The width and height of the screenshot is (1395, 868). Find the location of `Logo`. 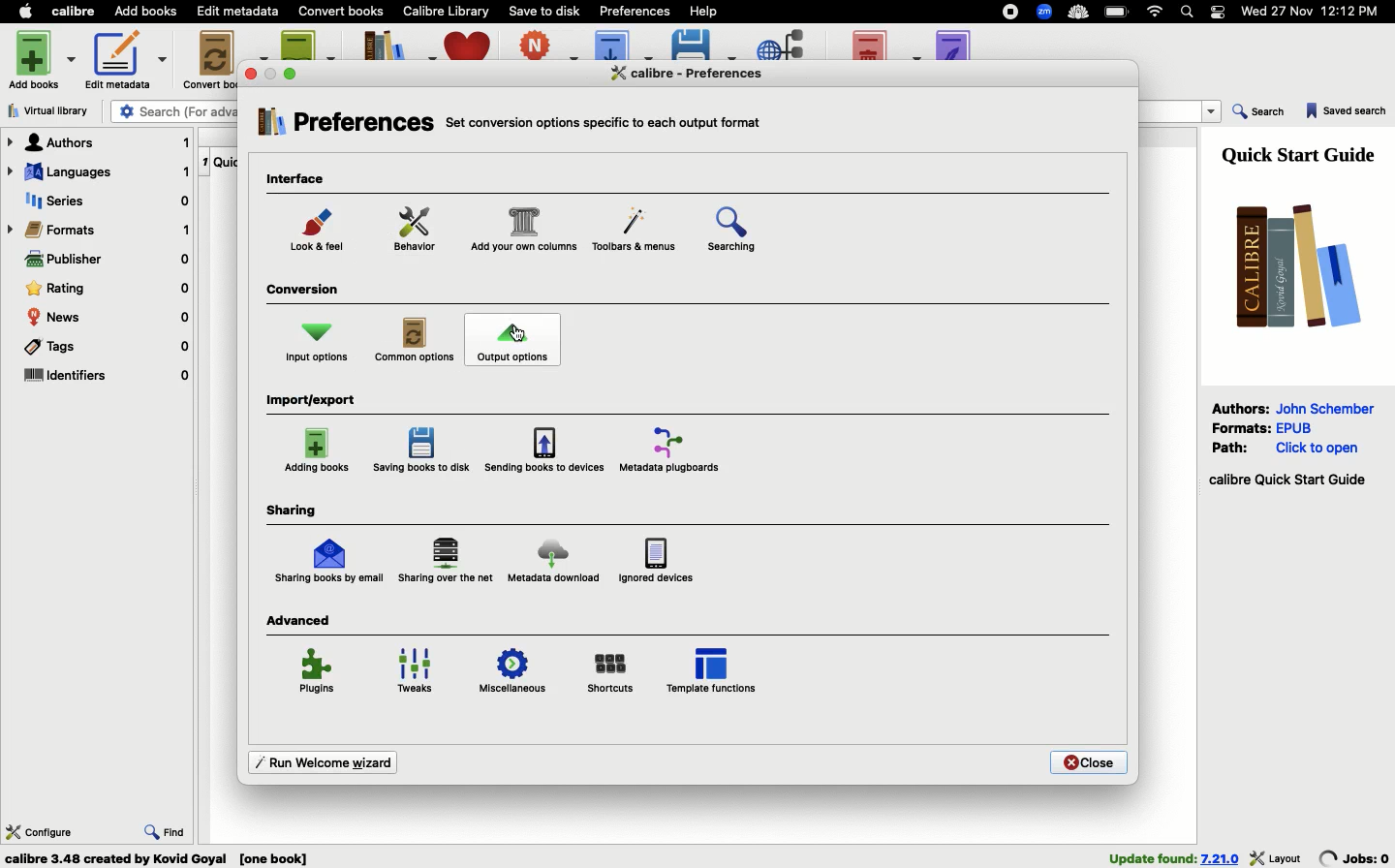

Logo is located at coordinates (1291, 264).